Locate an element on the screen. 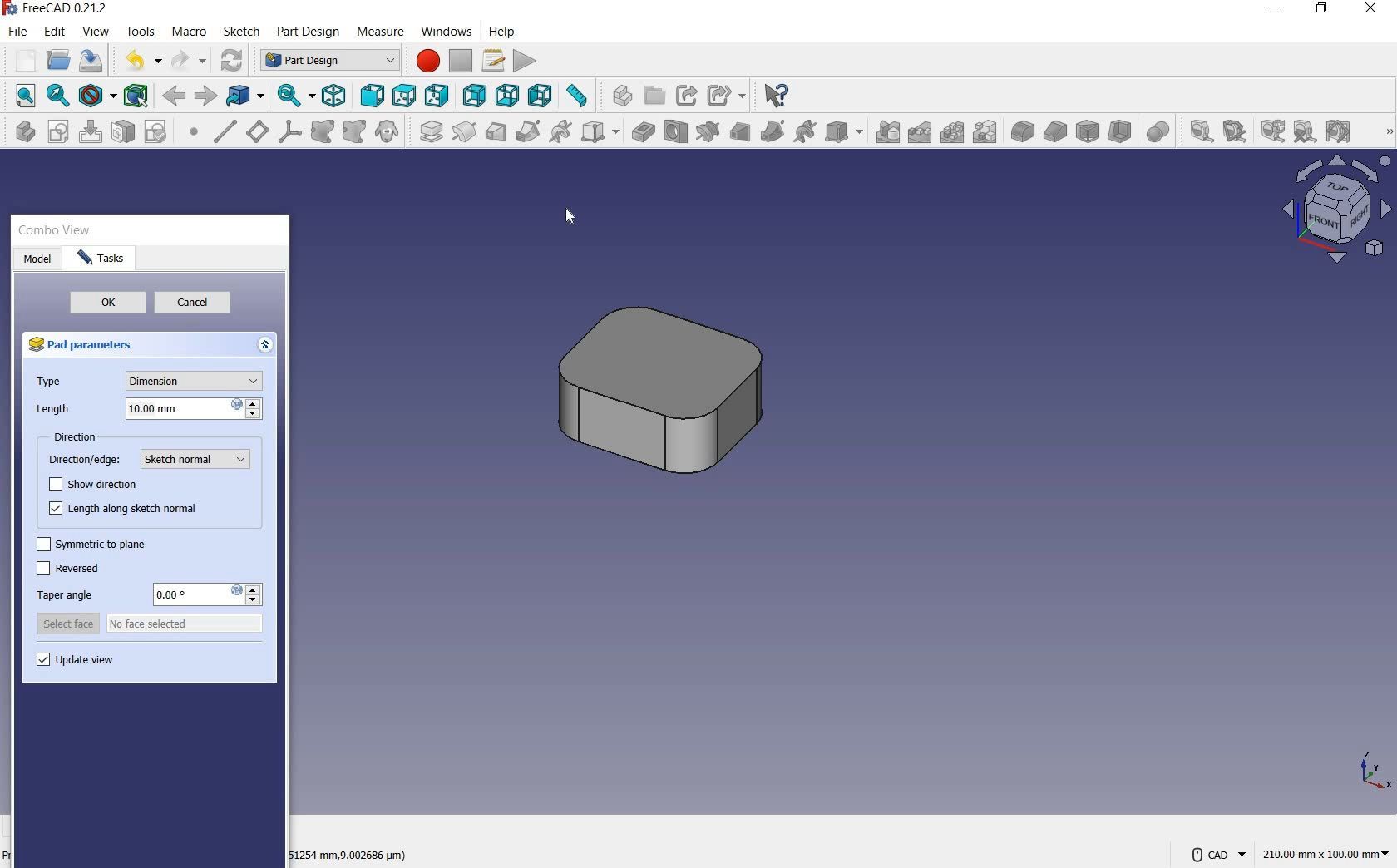  rear is located at coordinates (475, 96).